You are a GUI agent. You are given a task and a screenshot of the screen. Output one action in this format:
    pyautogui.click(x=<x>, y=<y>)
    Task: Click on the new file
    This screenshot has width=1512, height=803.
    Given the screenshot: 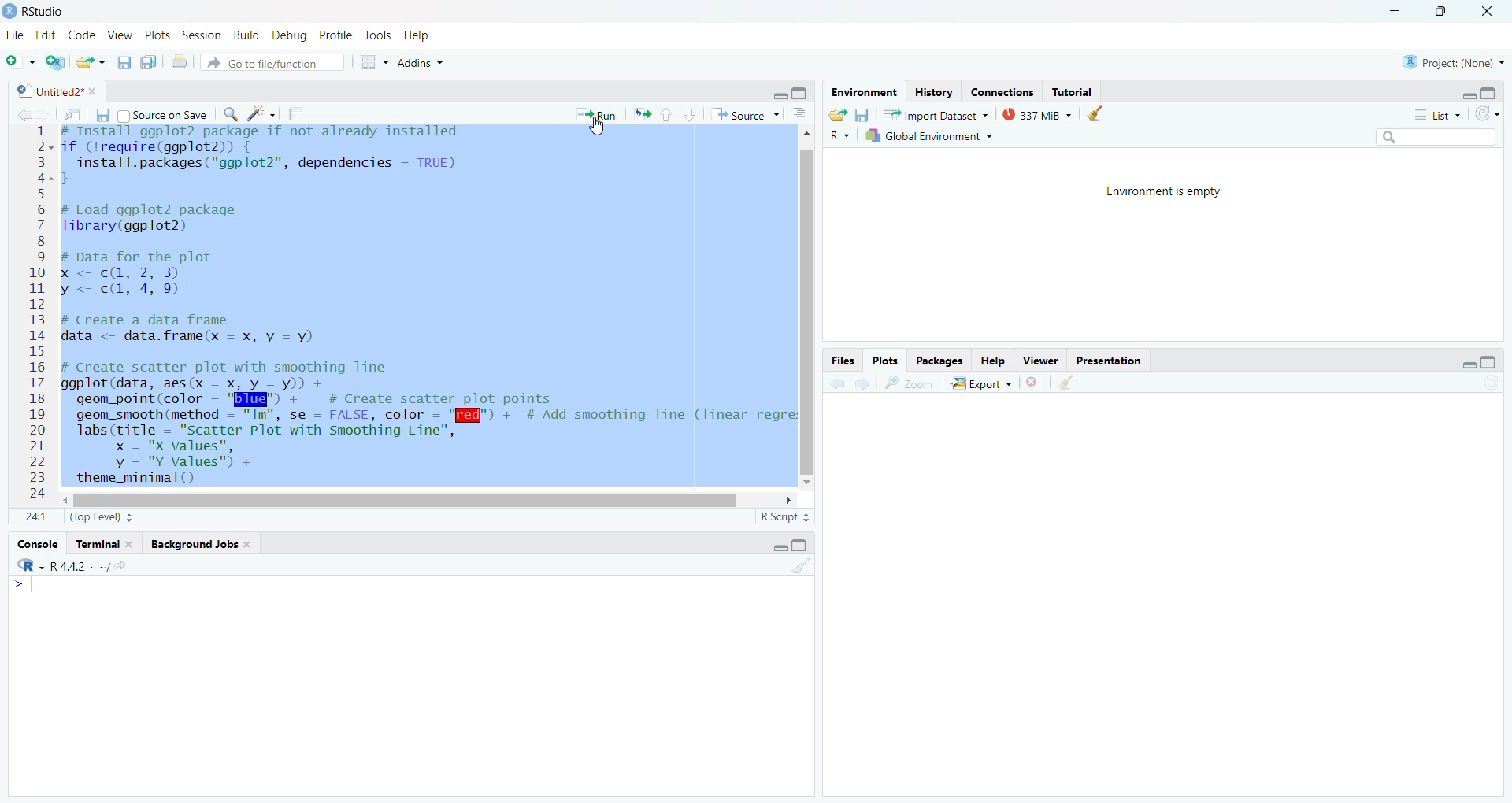 What is the action you would take?
    pyautogui.click(x=20, y=60)
    